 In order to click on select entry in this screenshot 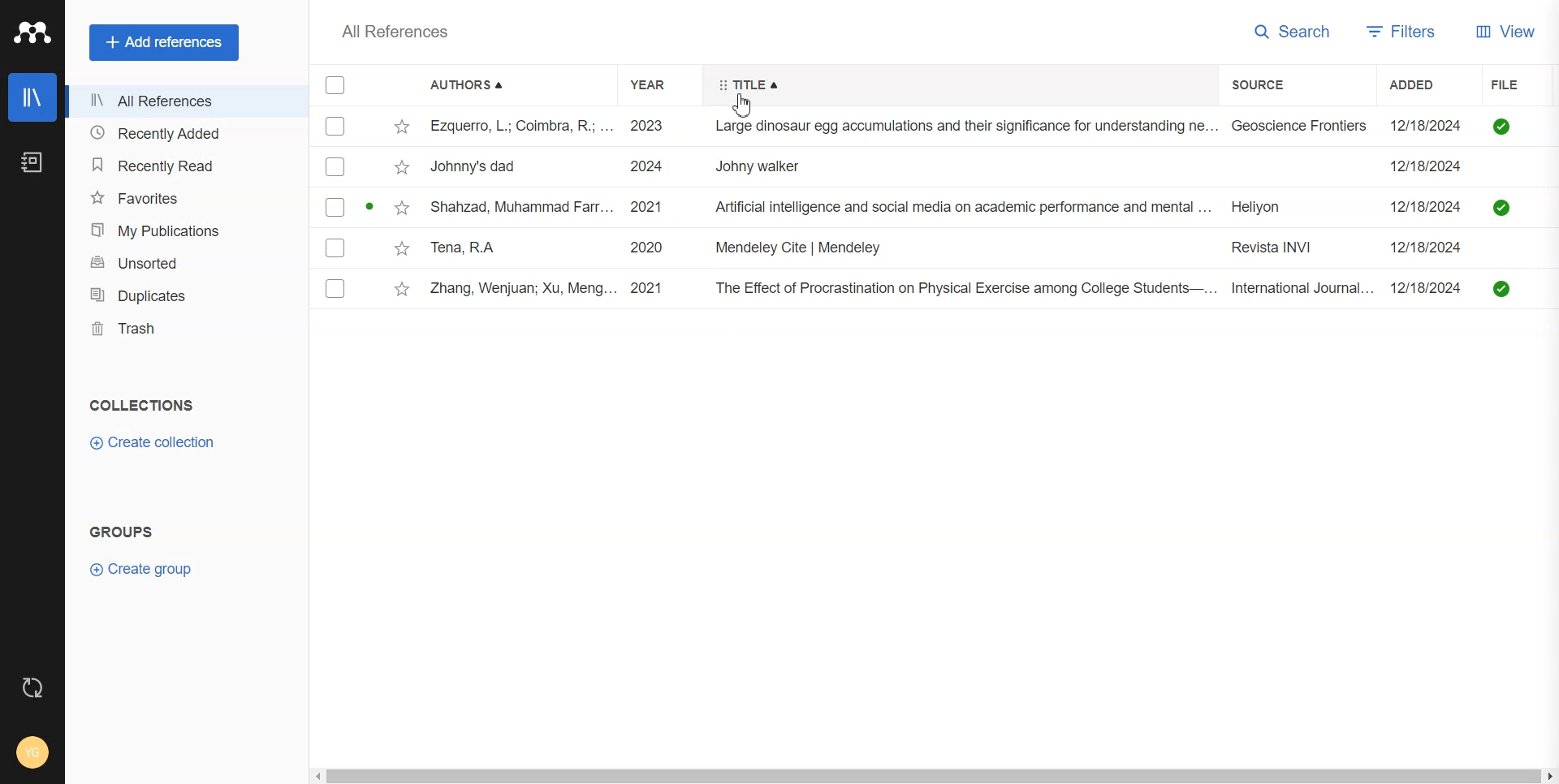, I will do `click(335, 208)`.